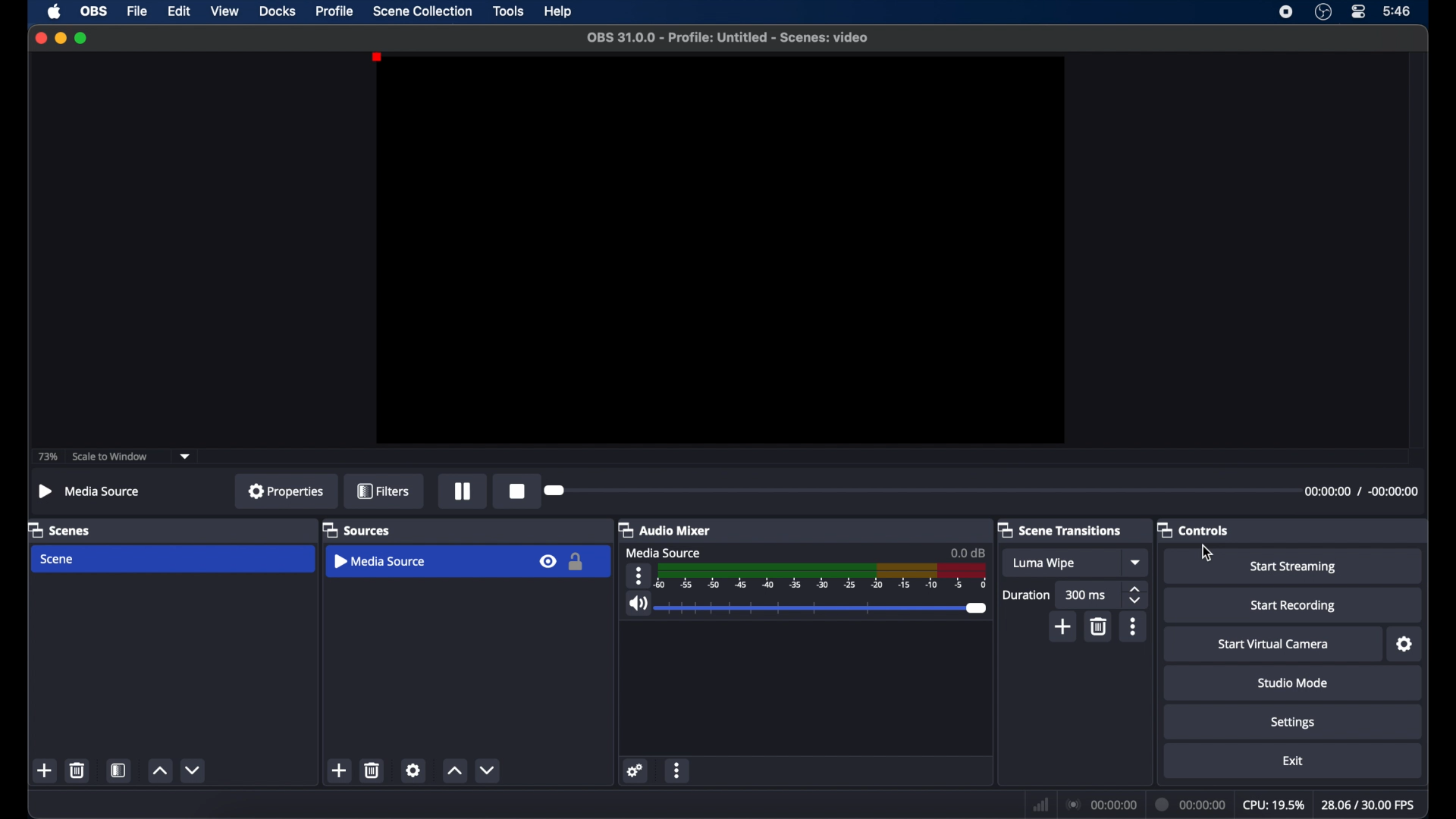  I want to click on obs, so click(93, 11).